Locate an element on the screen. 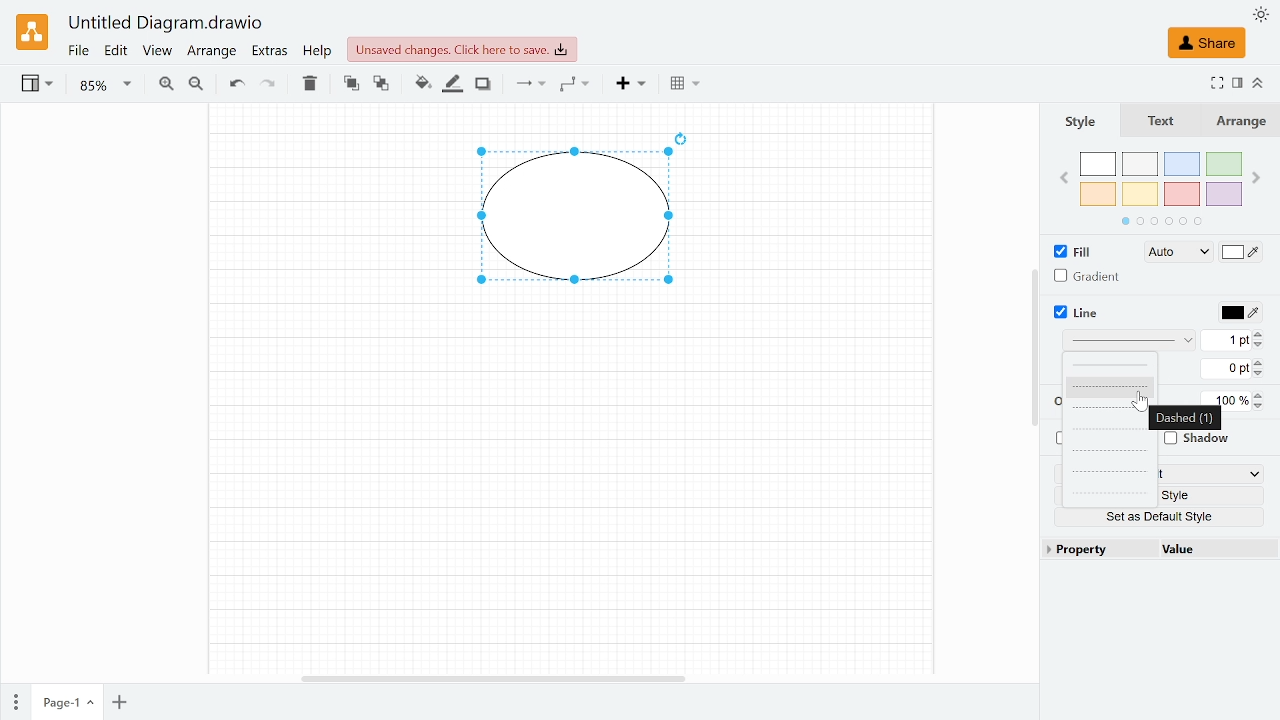 The width and height of the screenshot is (1280, 720). Zoom in is located at coordinates (165, 85).